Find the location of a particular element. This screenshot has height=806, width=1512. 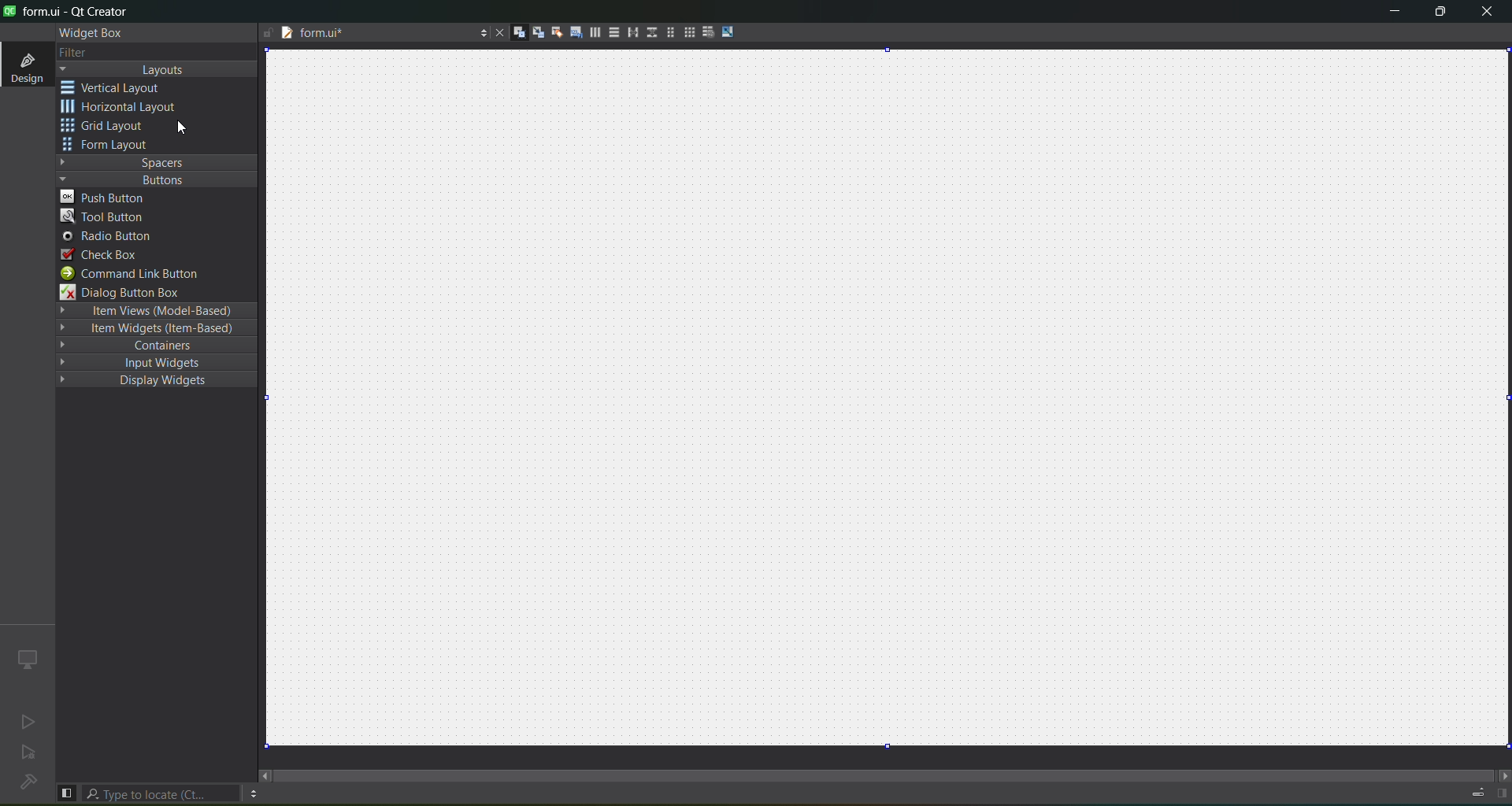

radio button is located at coordinates (107, 238).